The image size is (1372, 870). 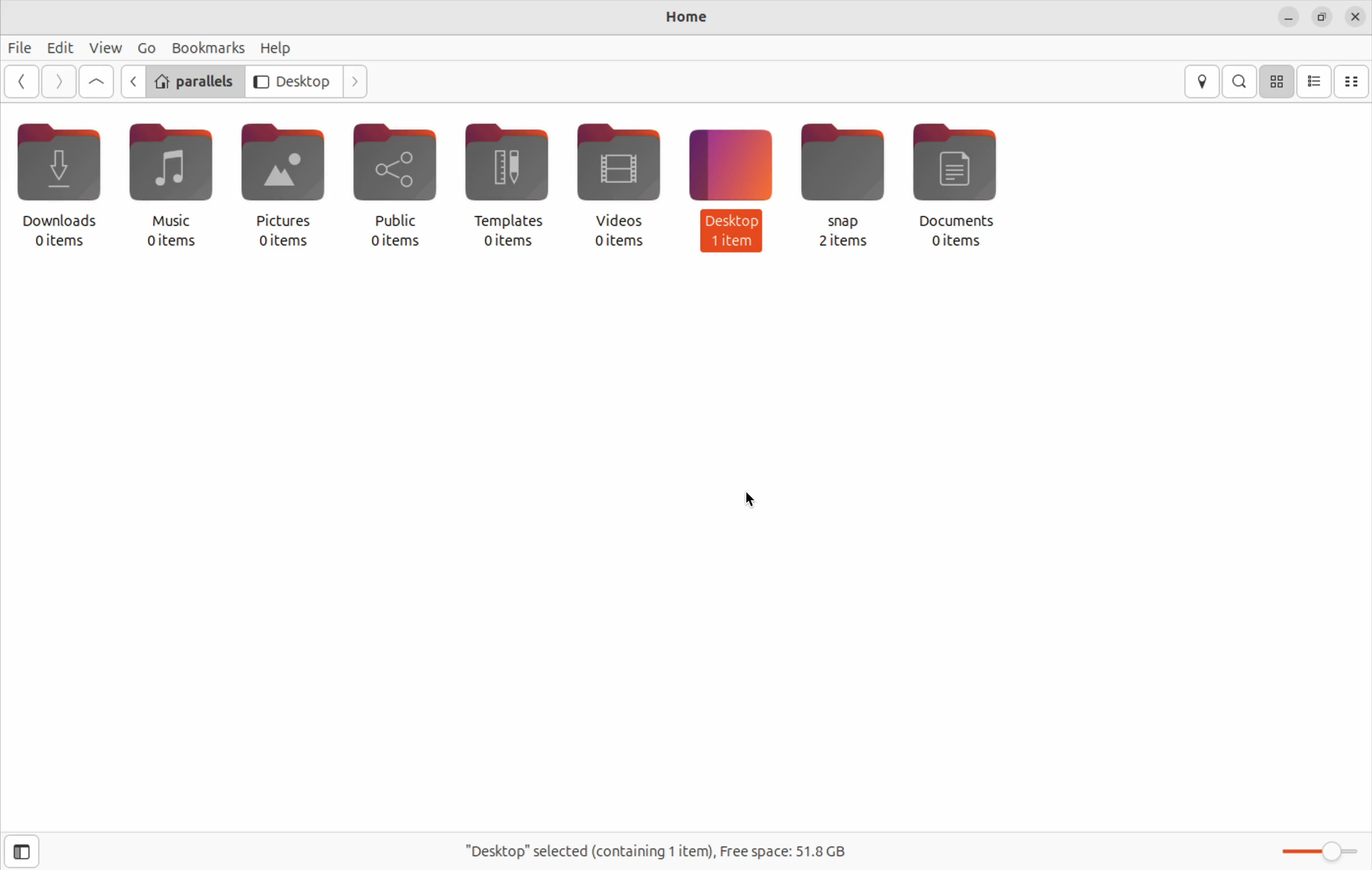 What do you see at coordinates (842, 191) in the screenshot?
I see `snap 2 items` at bounding box center [842, 191].